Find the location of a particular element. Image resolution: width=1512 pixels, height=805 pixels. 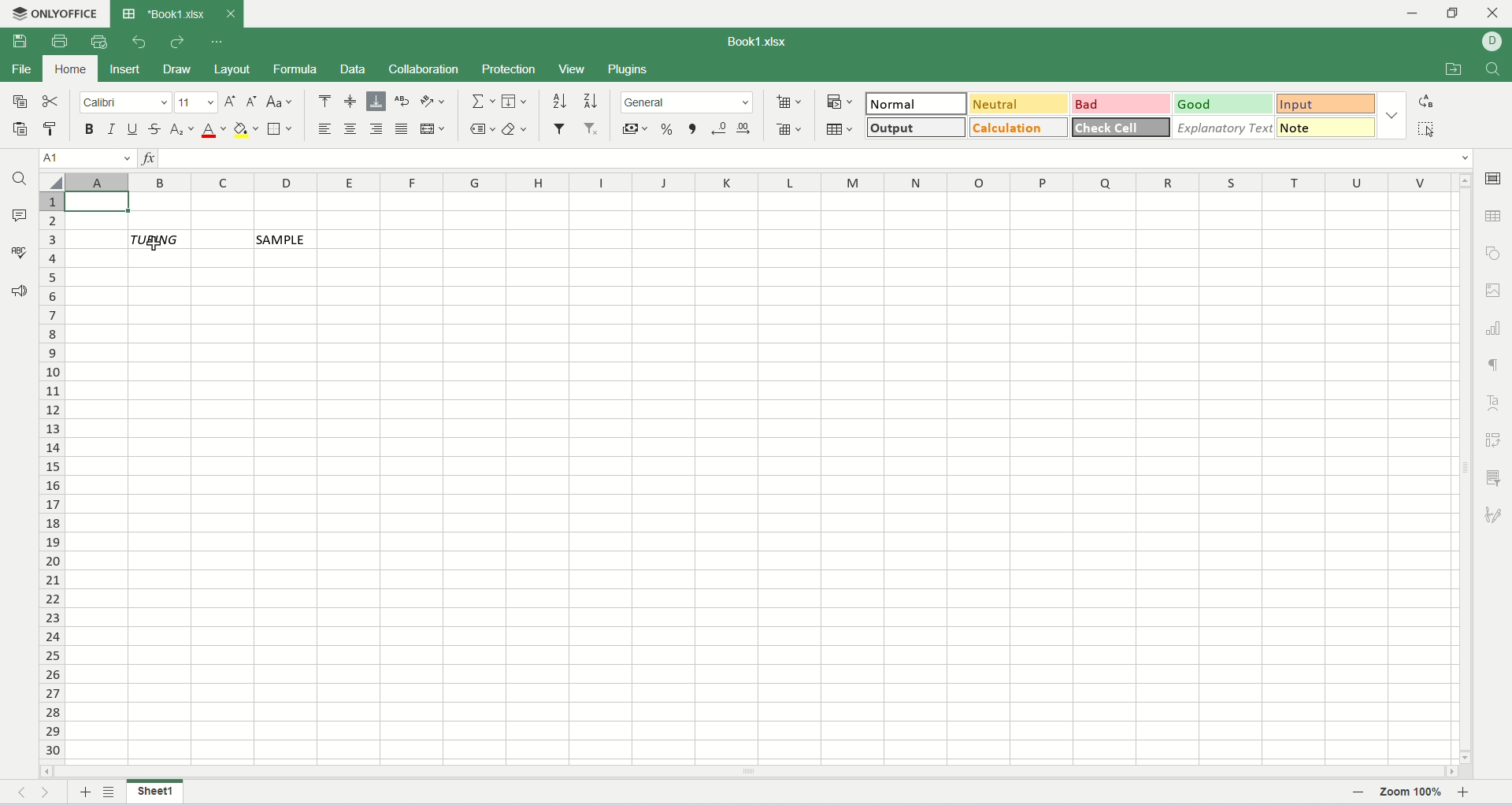

comma style is located at coordinates (694, 130).